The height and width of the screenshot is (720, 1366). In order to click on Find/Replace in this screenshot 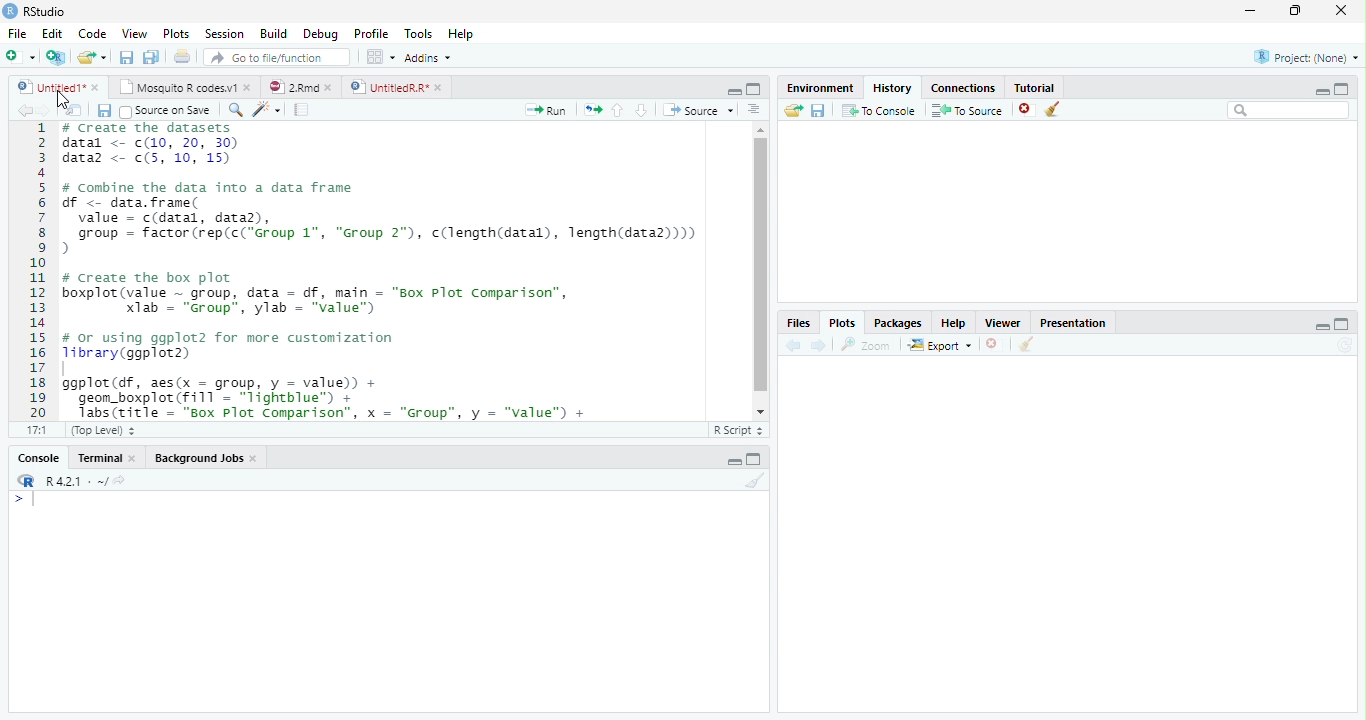, I will do `click(235, 110)`.